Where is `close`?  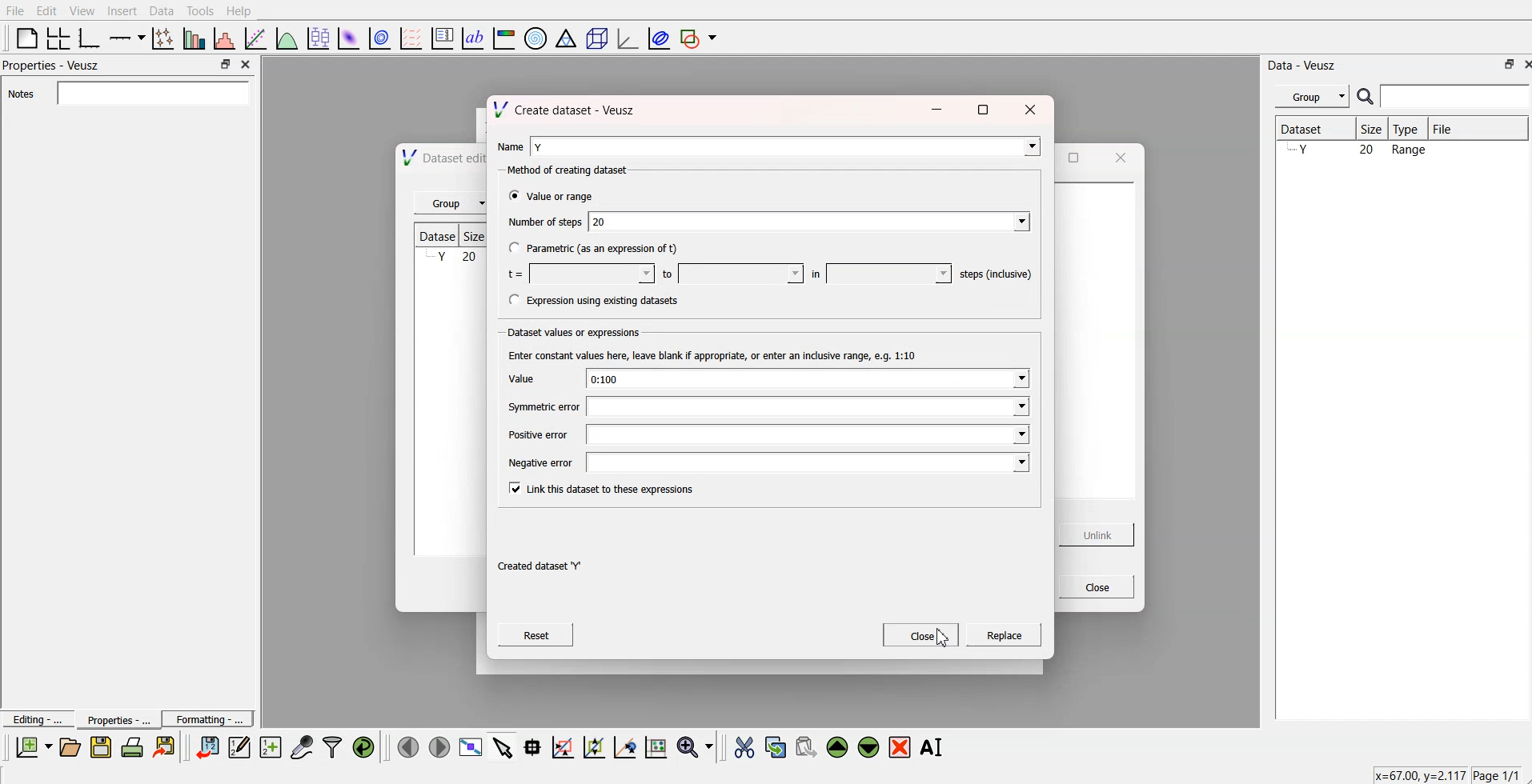 close is located at coordinates (1117, 158).